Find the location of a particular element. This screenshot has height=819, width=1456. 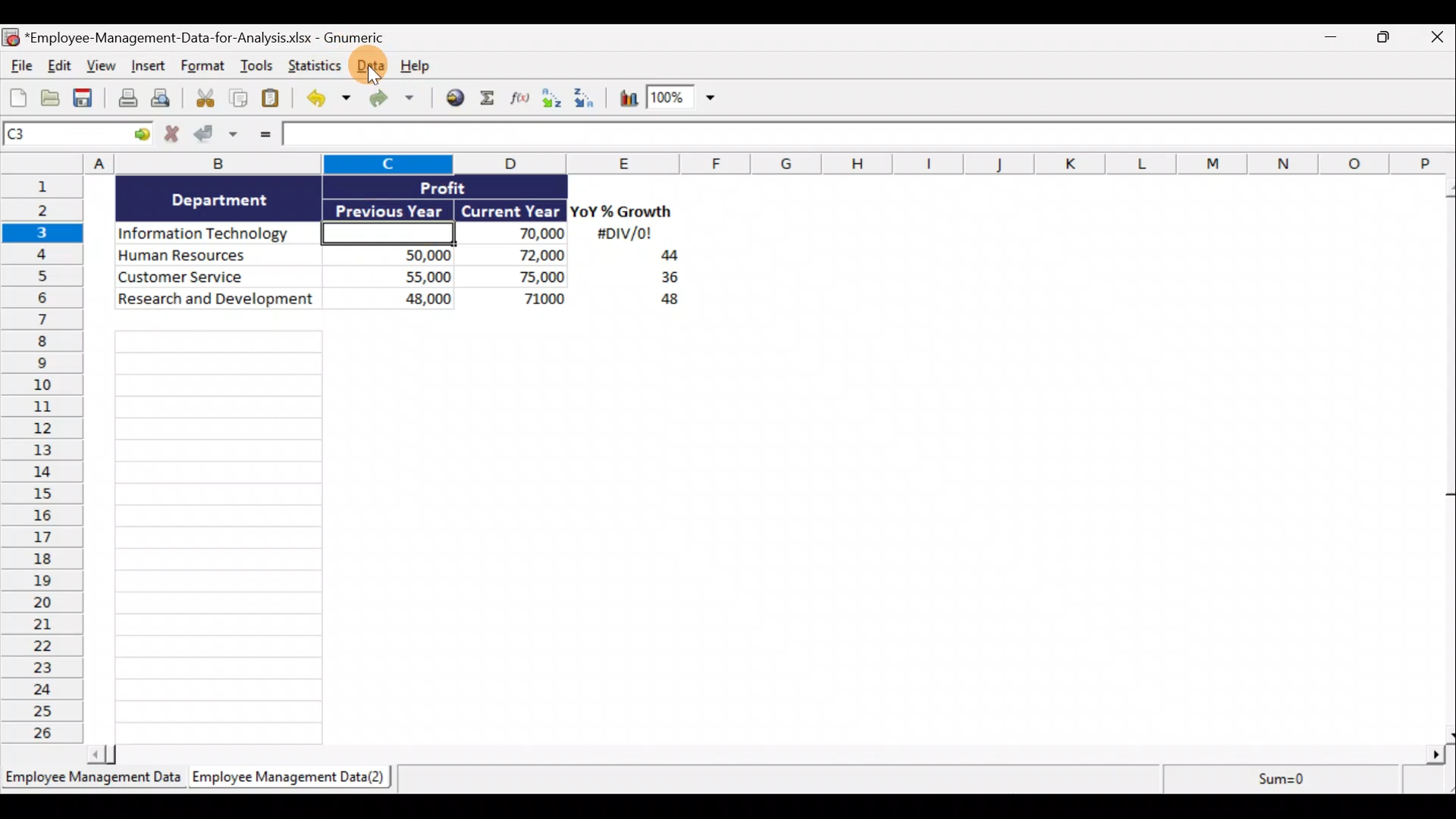

44 is located at coordinates (661, 257).